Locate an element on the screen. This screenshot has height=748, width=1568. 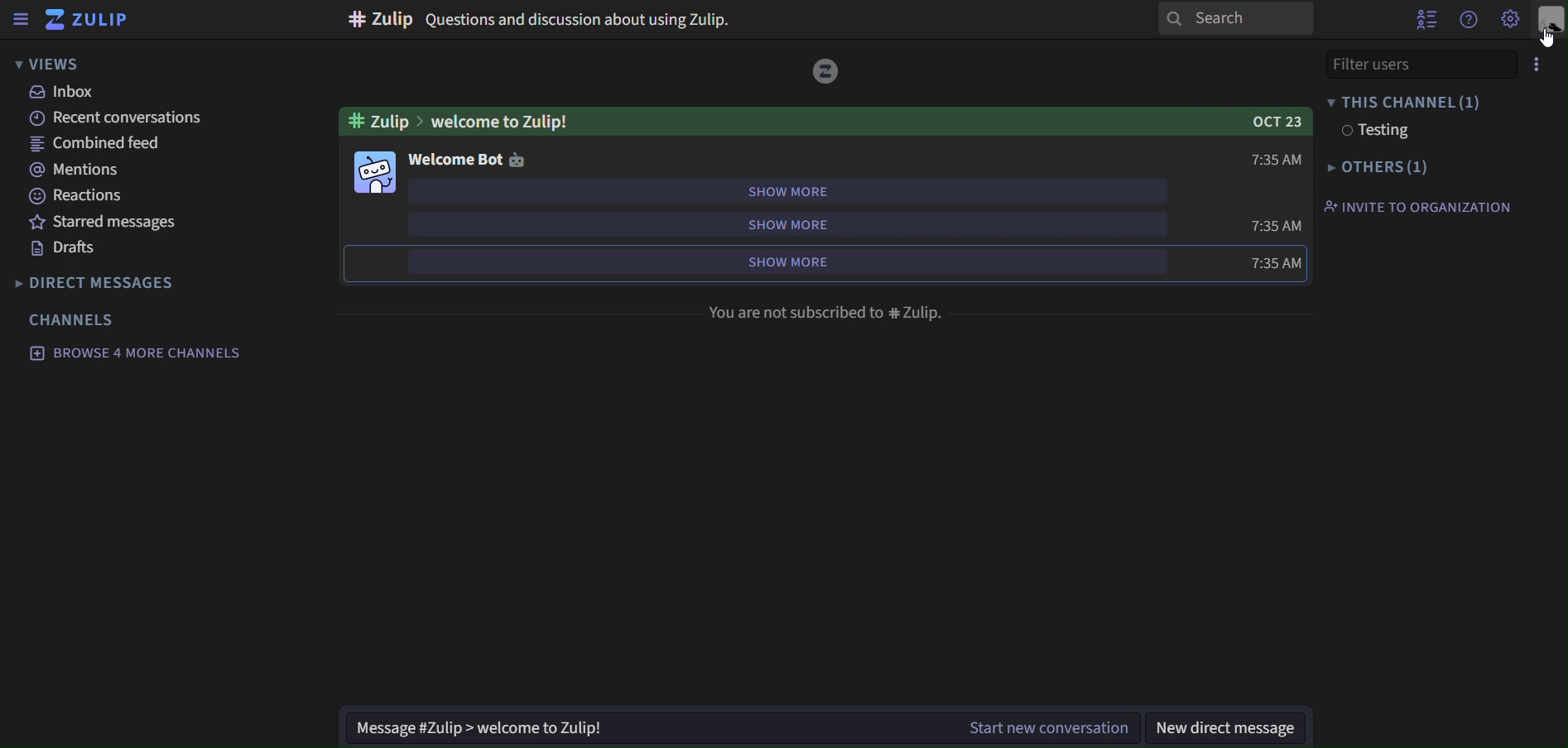
start new conversation is located at coordinates (739, 730).